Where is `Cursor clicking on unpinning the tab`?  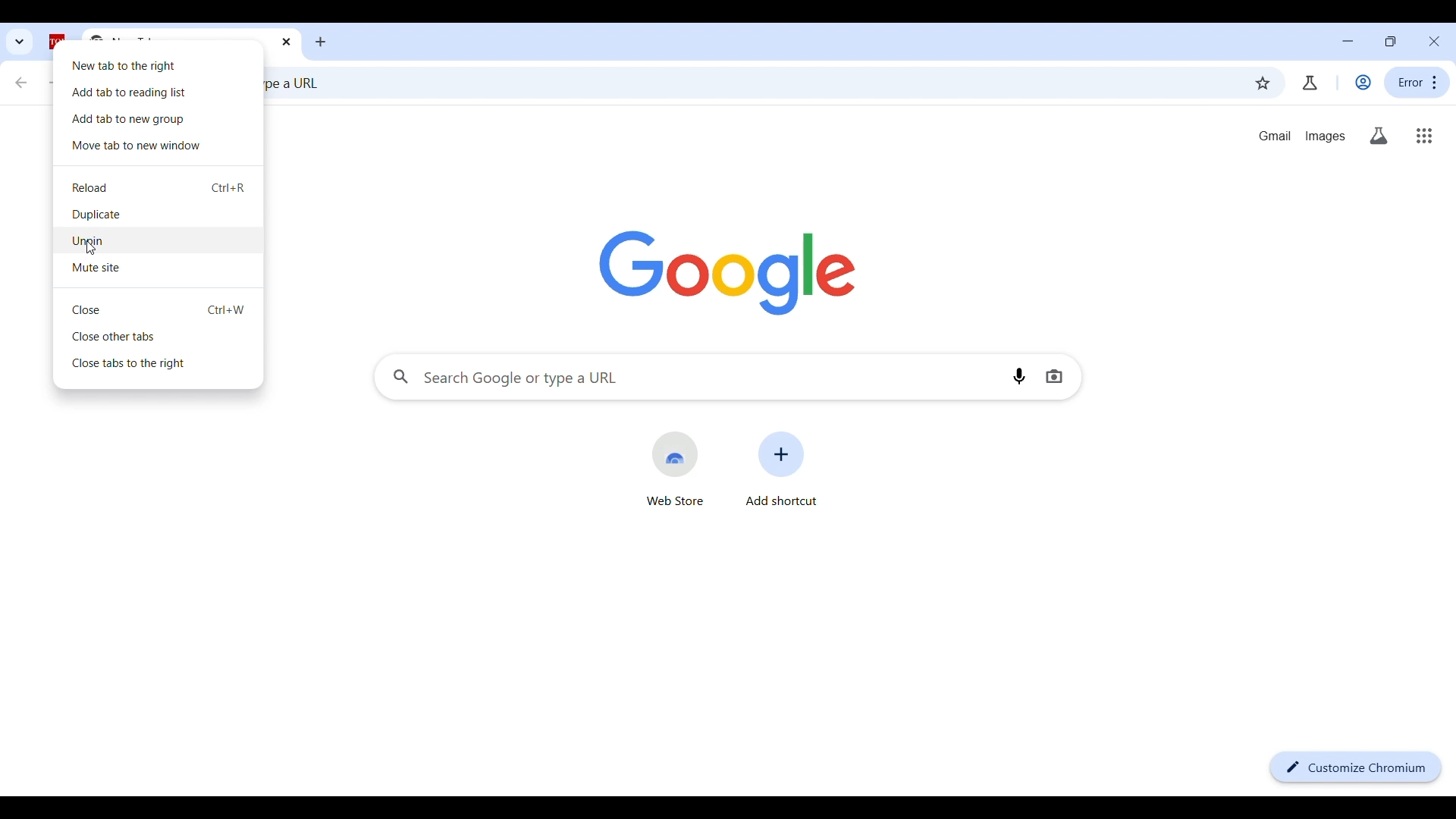 Cursor clicking on unpinning the tab is located at coordinates (91, 249).